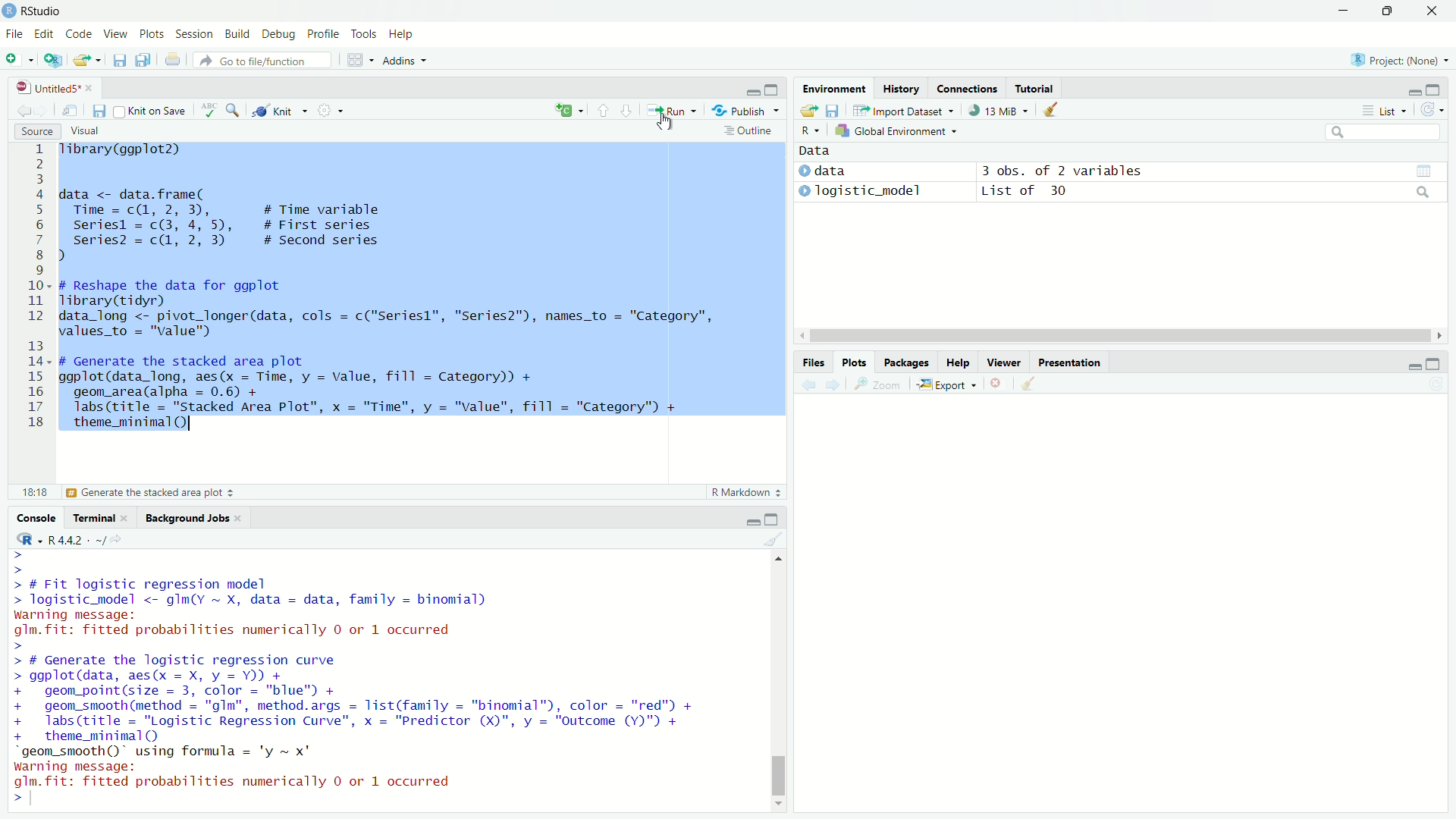 This screenshot has width=1456, height=819. What do you see at coordinates (1404, 60) in the screenshot?
I see `Project: (None)` at bounding box center [1404, 60].